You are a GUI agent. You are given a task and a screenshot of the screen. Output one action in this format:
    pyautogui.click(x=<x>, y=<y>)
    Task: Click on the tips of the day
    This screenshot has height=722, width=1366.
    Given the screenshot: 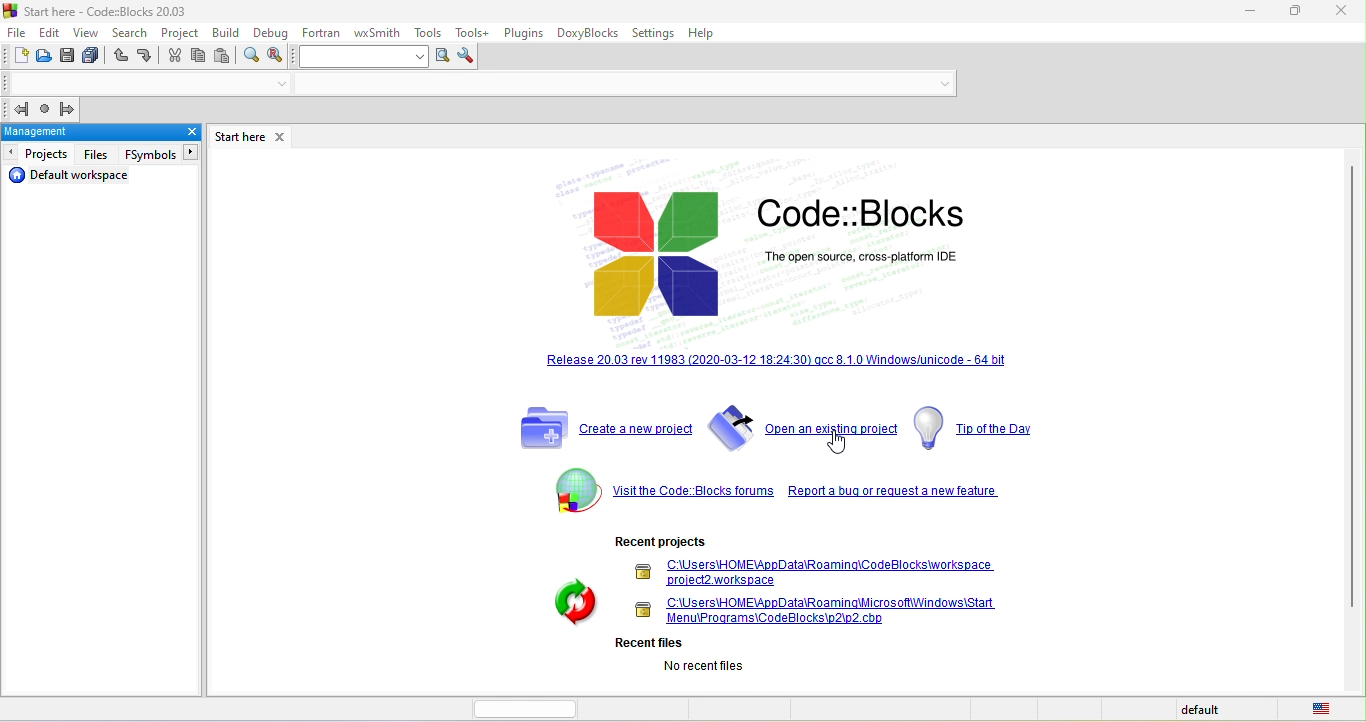 What is the action you would take?
    pyautogui.click(x=981, y=429)
    